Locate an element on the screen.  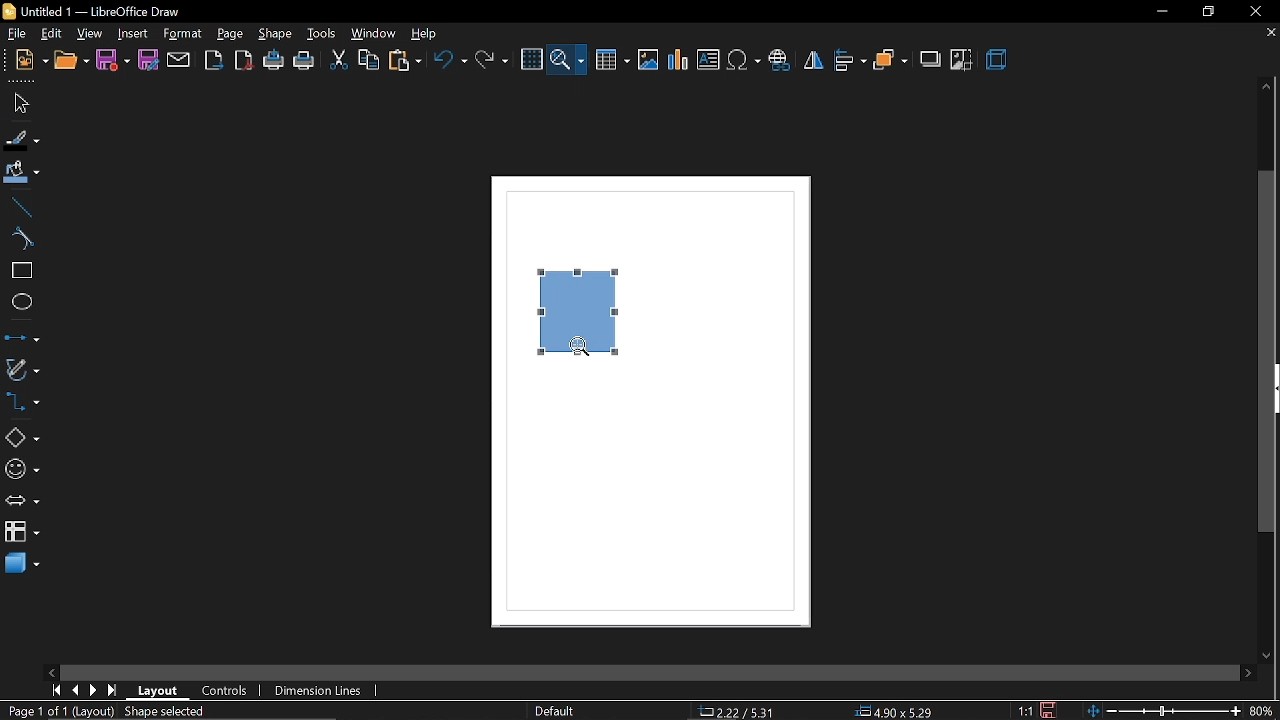
lines and arrows is located at coordinates (20, 337).